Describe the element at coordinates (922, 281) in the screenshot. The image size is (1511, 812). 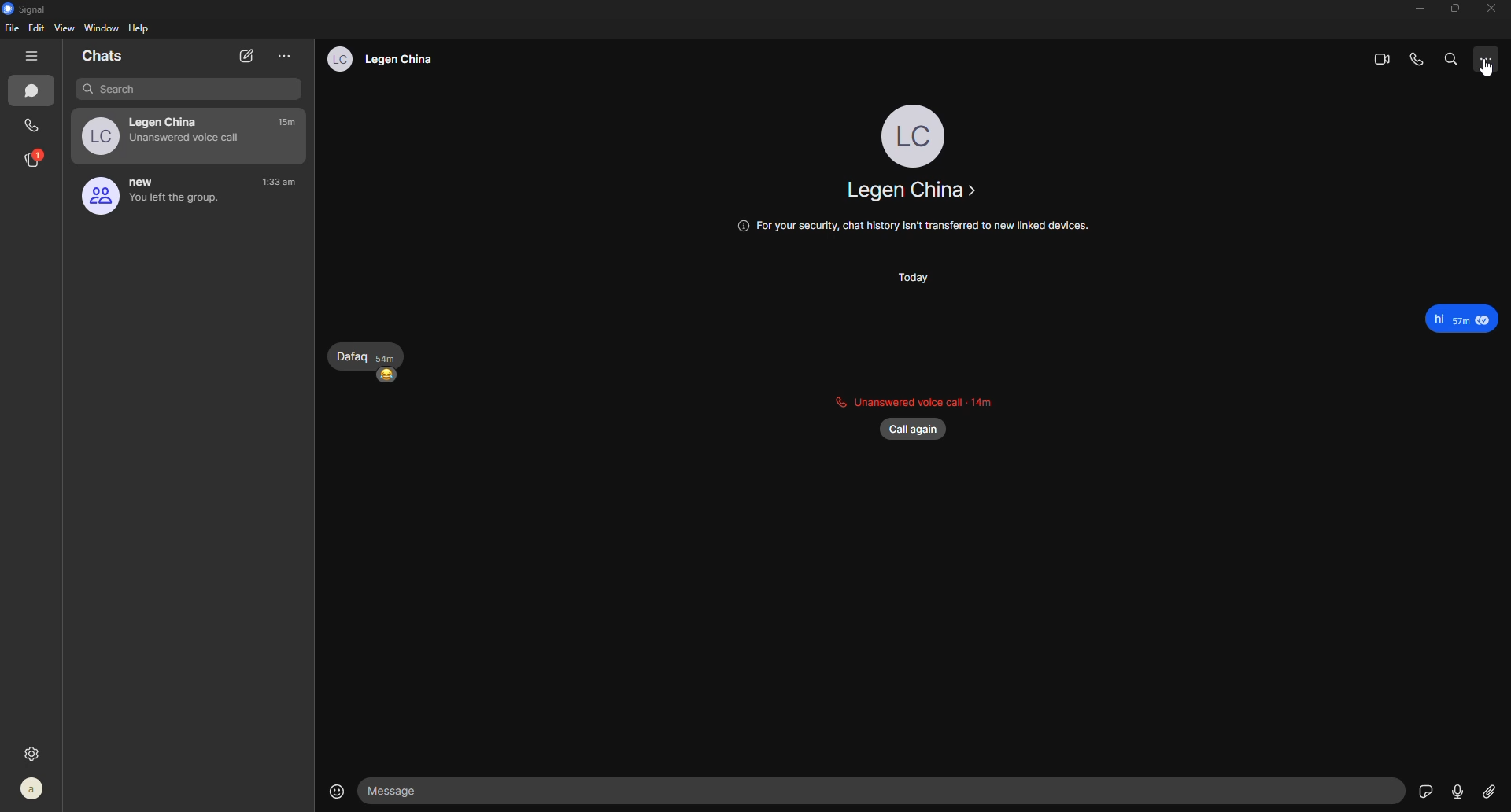
I see `today` at that location.